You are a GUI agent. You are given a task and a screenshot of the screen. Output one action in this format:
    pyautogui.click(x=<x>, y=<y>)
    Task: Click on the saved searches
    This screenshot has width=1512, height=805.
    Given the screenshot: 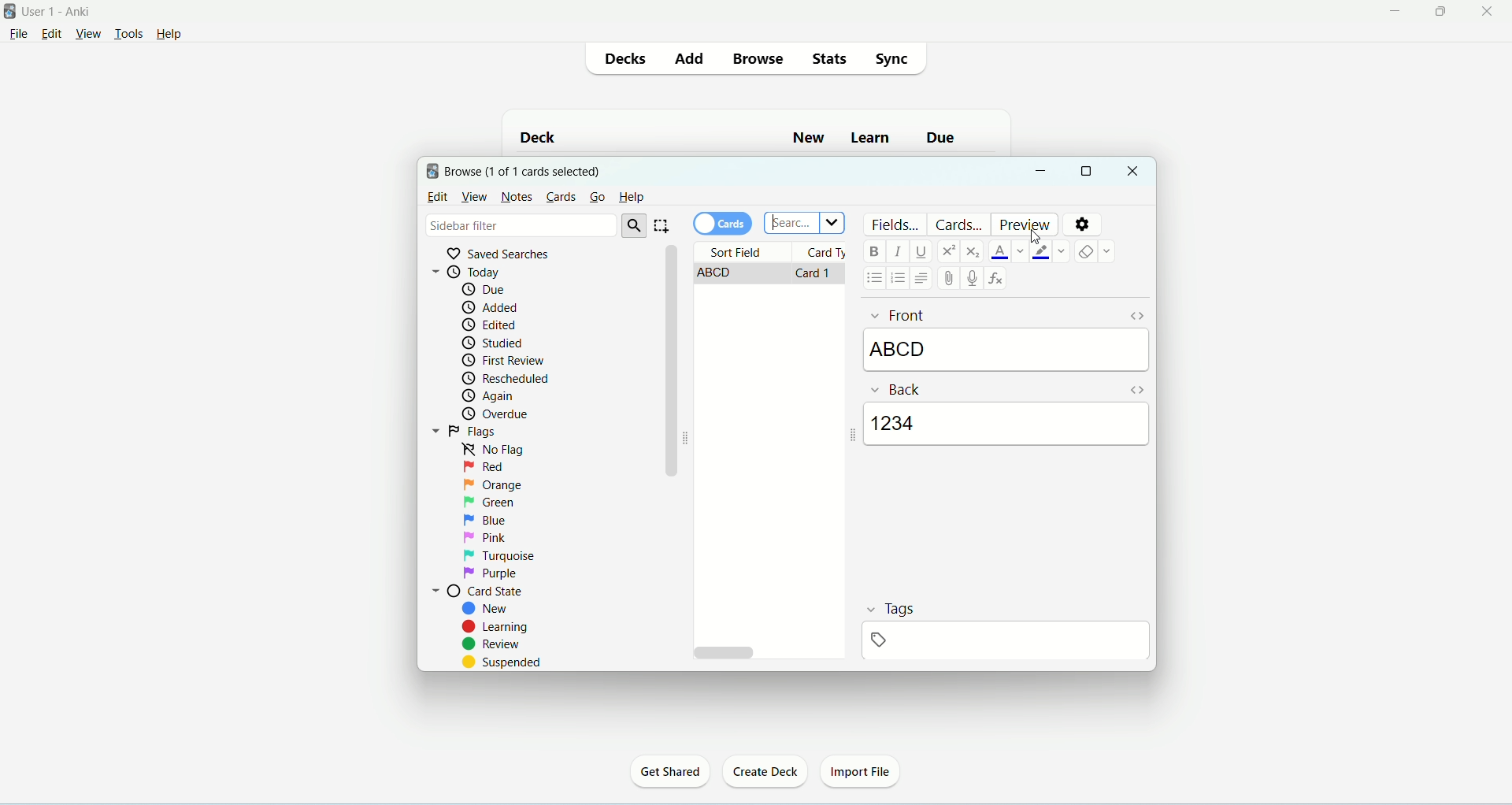 What is the action you would take?
    pyautogui.click(x=502, y=252)
    